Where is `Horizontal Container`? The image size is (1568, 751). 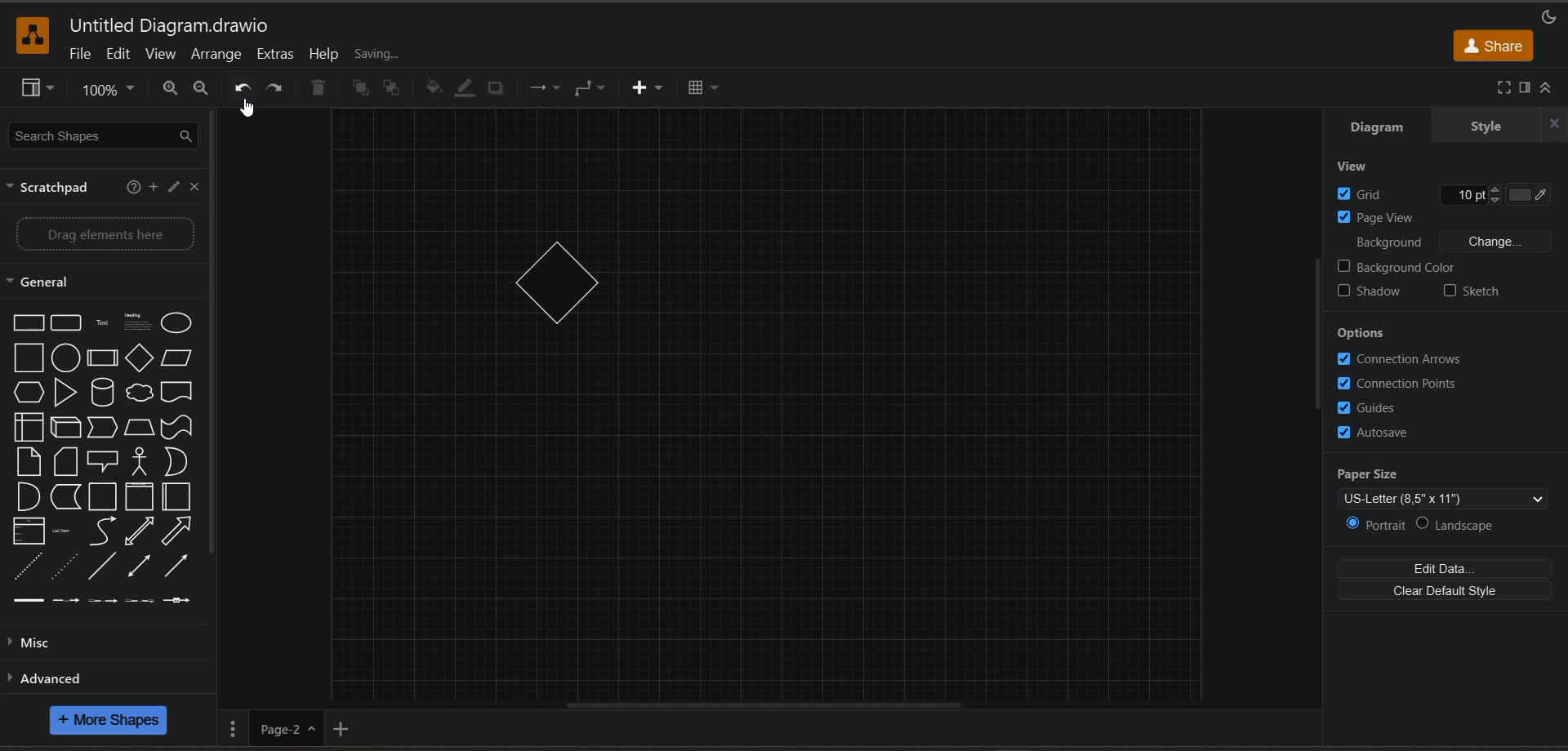
Horizontal Container is located at coordinates (178, 496).